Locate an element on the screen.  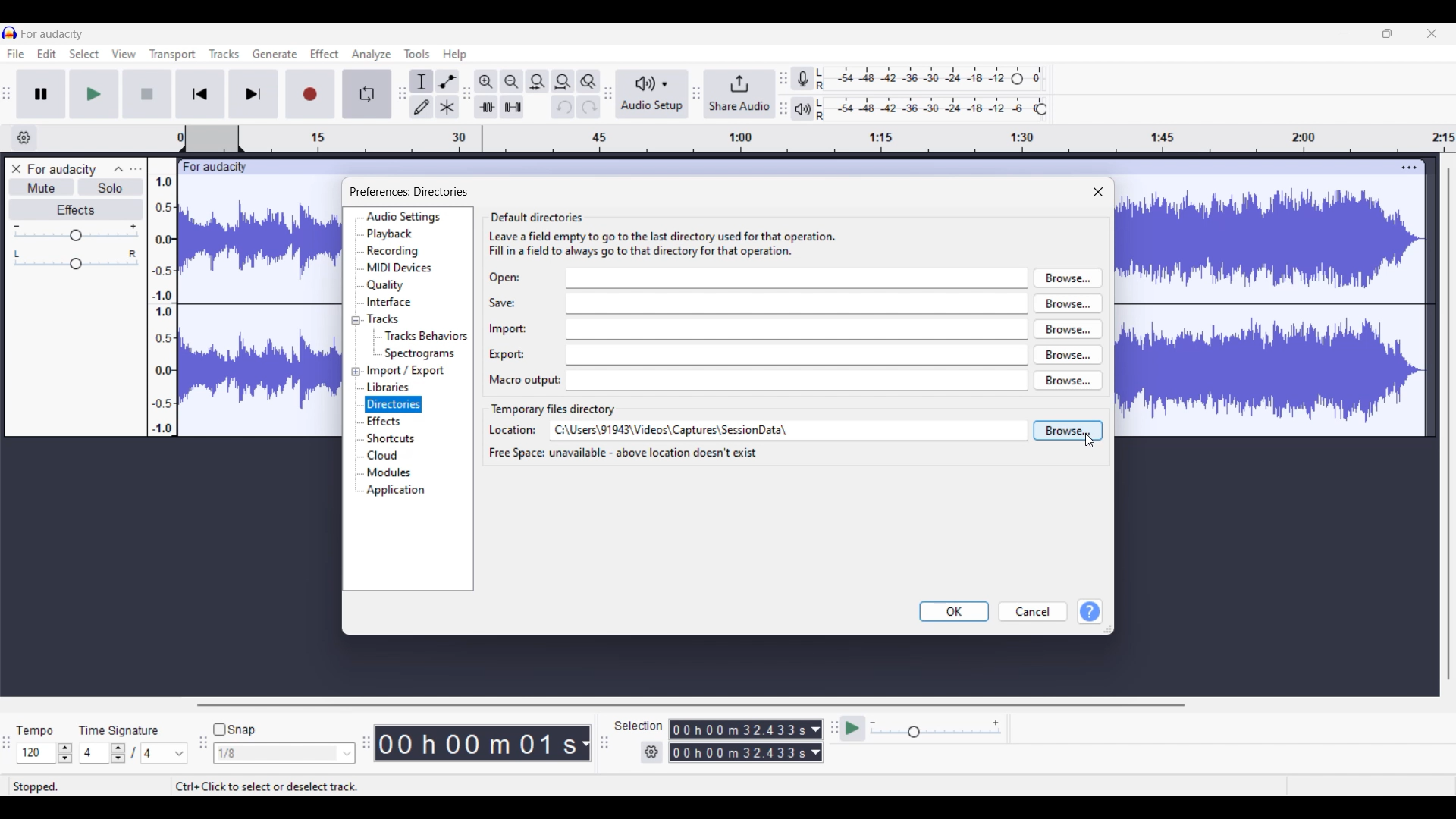
Vertical scroll bar is located at coordinates (1449, 424).